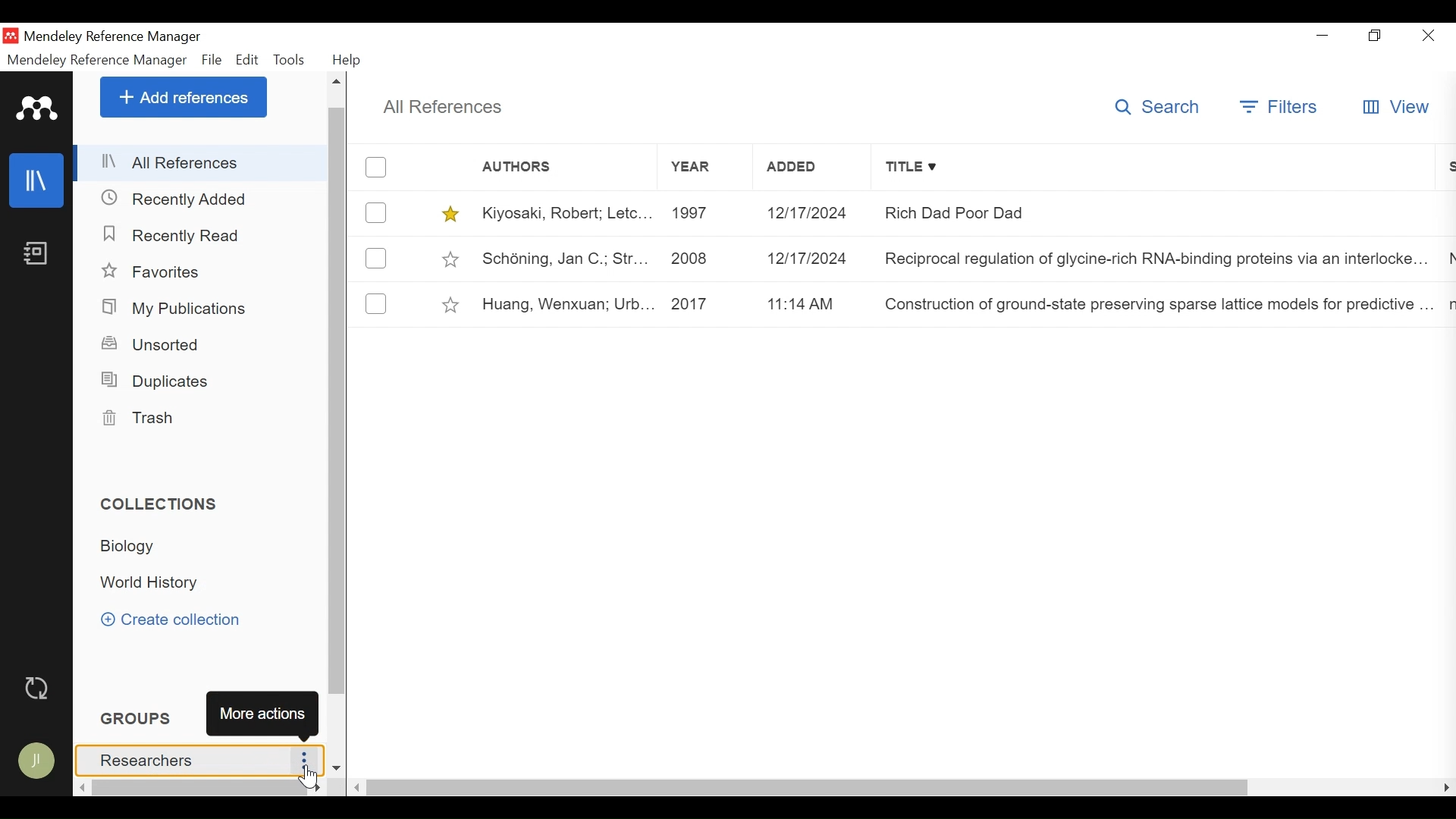 This screenshot has width=1456, height=819. What do you see at coordinates (314, 787) in the screenshot?
I see `Scroll Right` at bounding box center [314, 787].